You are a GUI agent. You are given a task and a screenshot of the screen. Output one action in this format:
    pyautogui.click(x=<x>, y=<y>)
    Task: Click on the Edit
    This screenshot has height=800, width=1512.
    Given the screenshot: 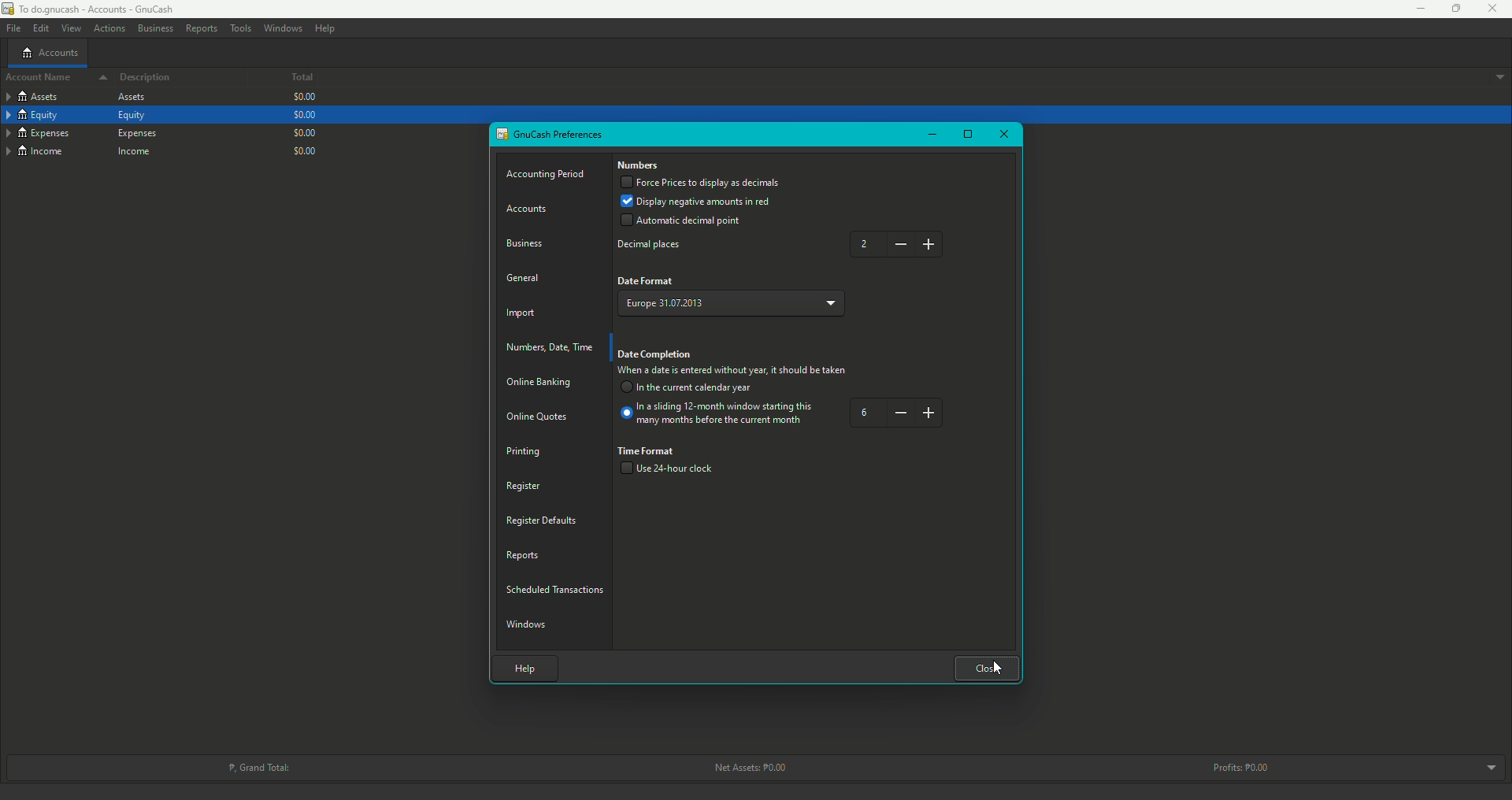 What is the action you would take?
    pyautogui.click(x=39, y=28)
    